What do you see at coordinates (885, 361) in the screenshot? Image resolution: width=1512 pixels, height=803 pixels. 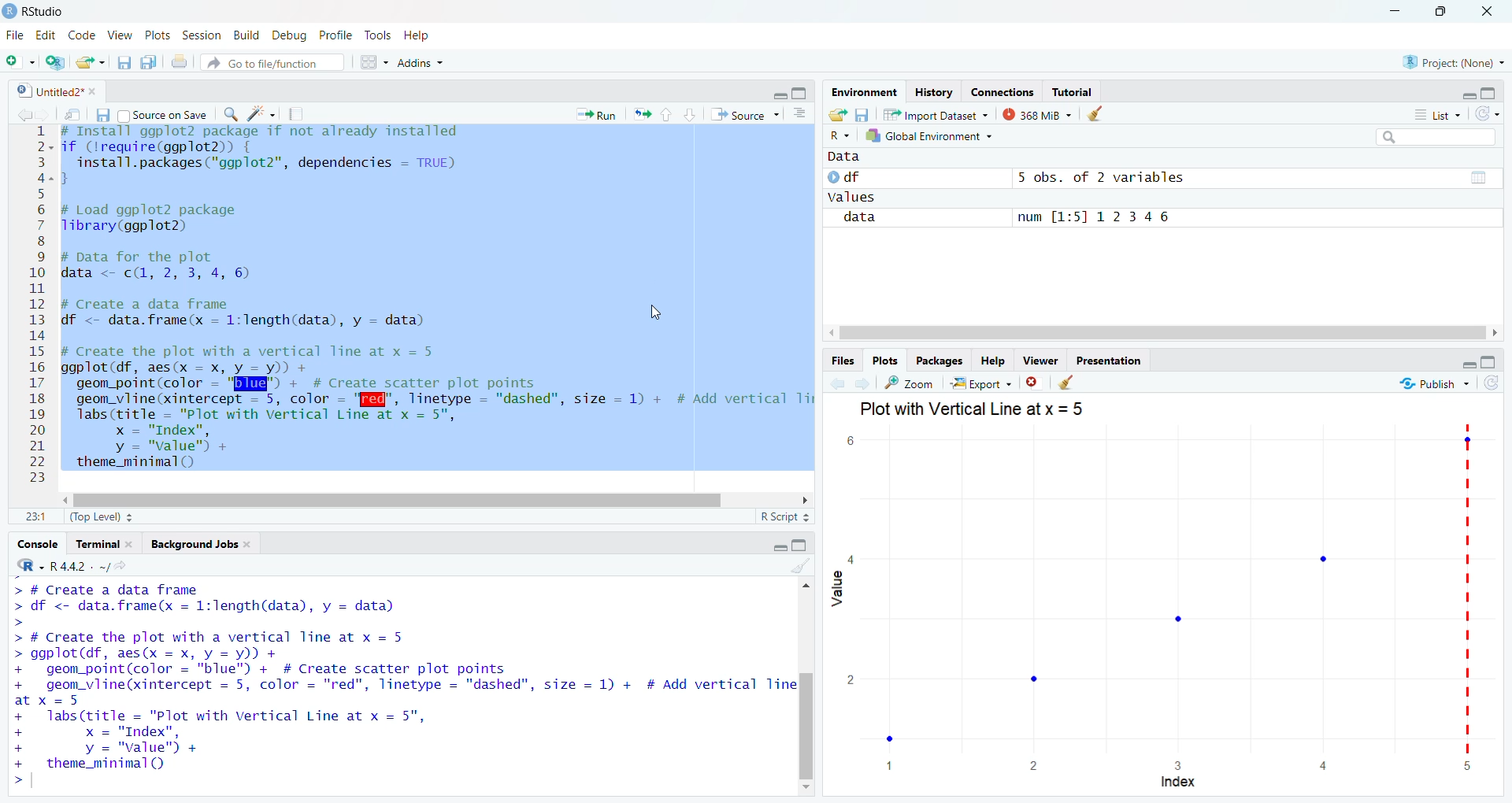 I see `Plots` at bounding box center [885, 361].